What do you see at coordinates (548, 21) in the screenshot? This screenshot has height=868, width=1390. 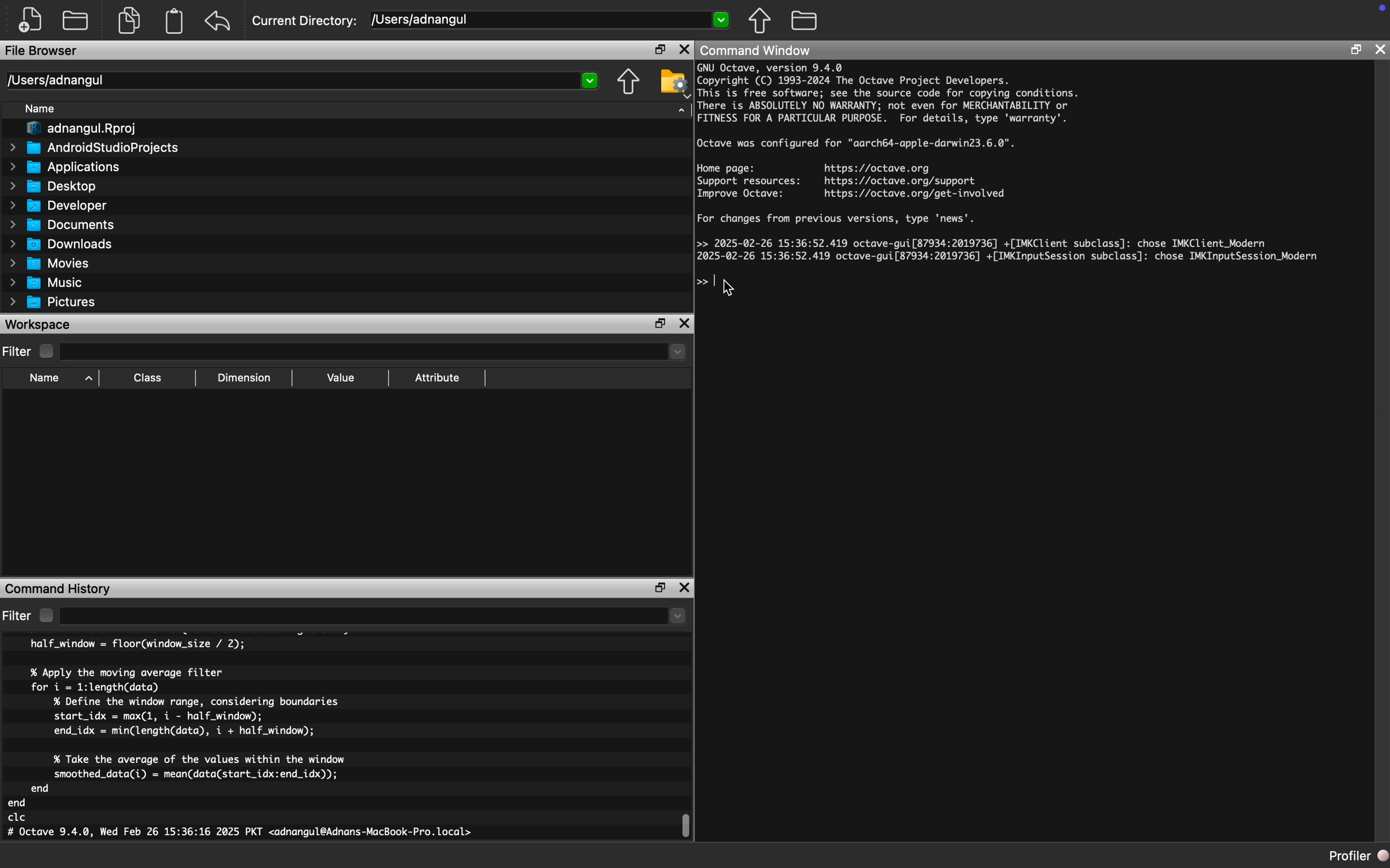 I see `/Users/adnangul ` at bounding box center [548, 21].